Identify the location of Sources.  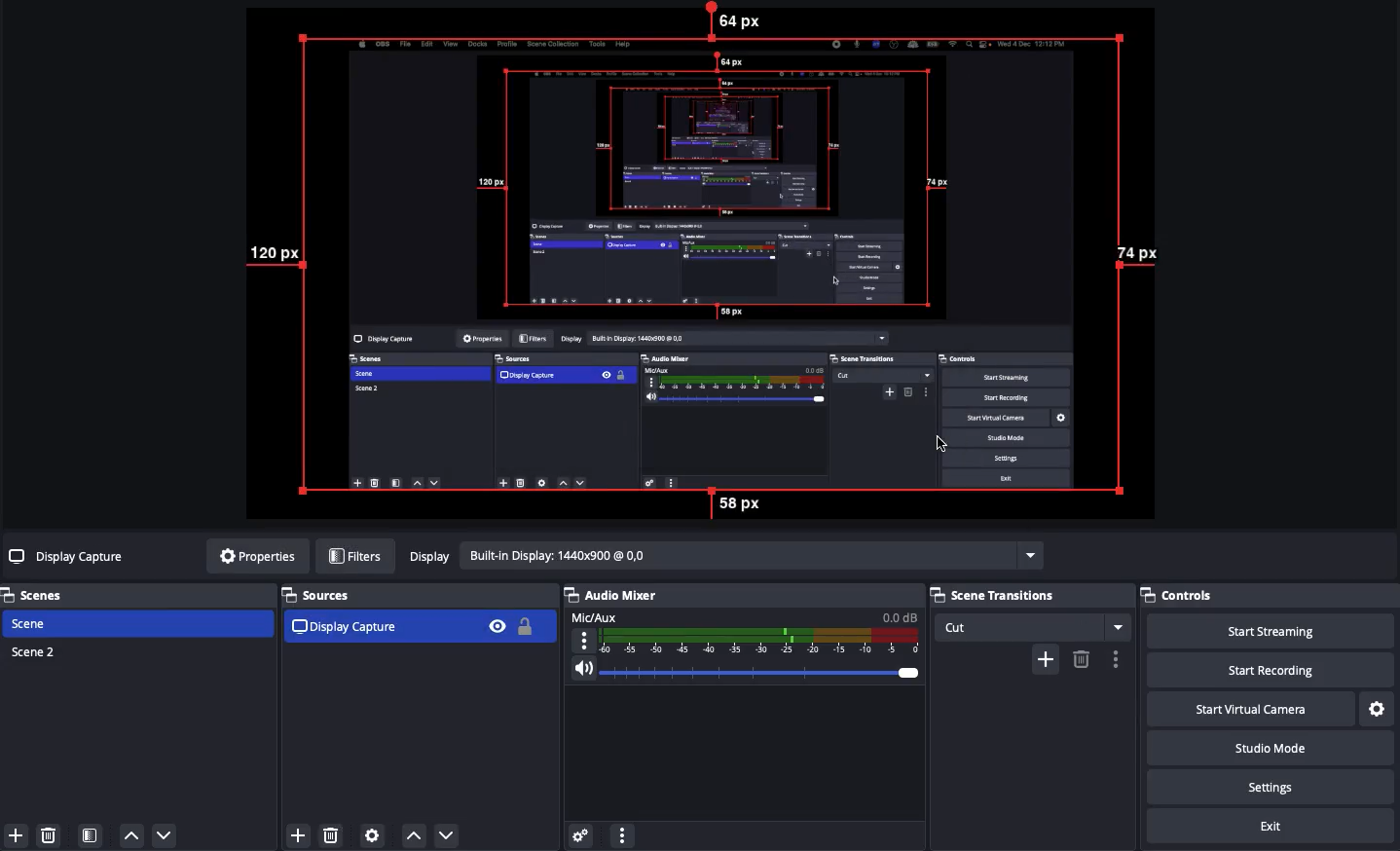
(417, 615).